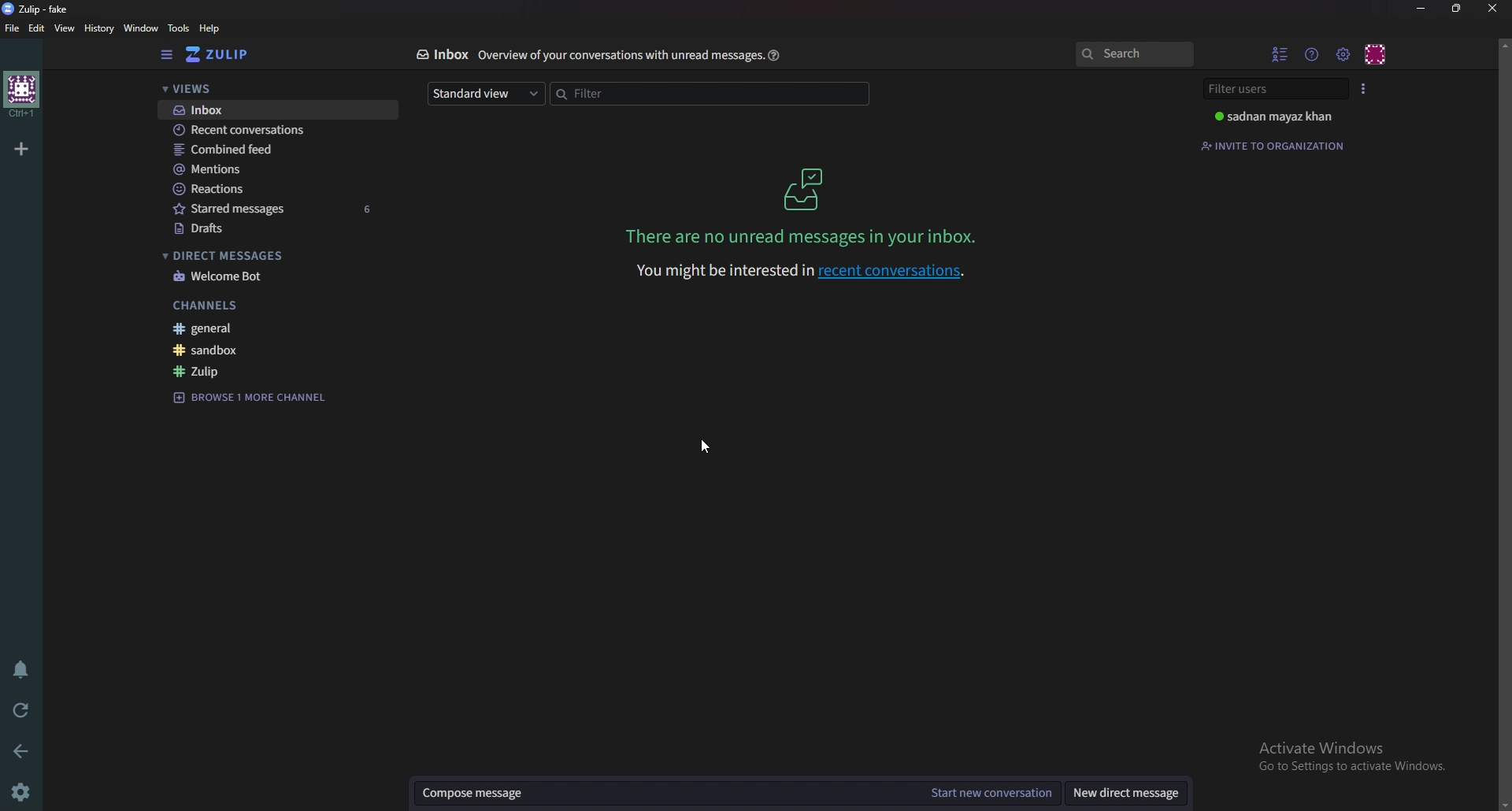  What do you see at coordinates (803, 187) in the screenshot?
I see `Inbox logo` at bounding box center [803, 187].